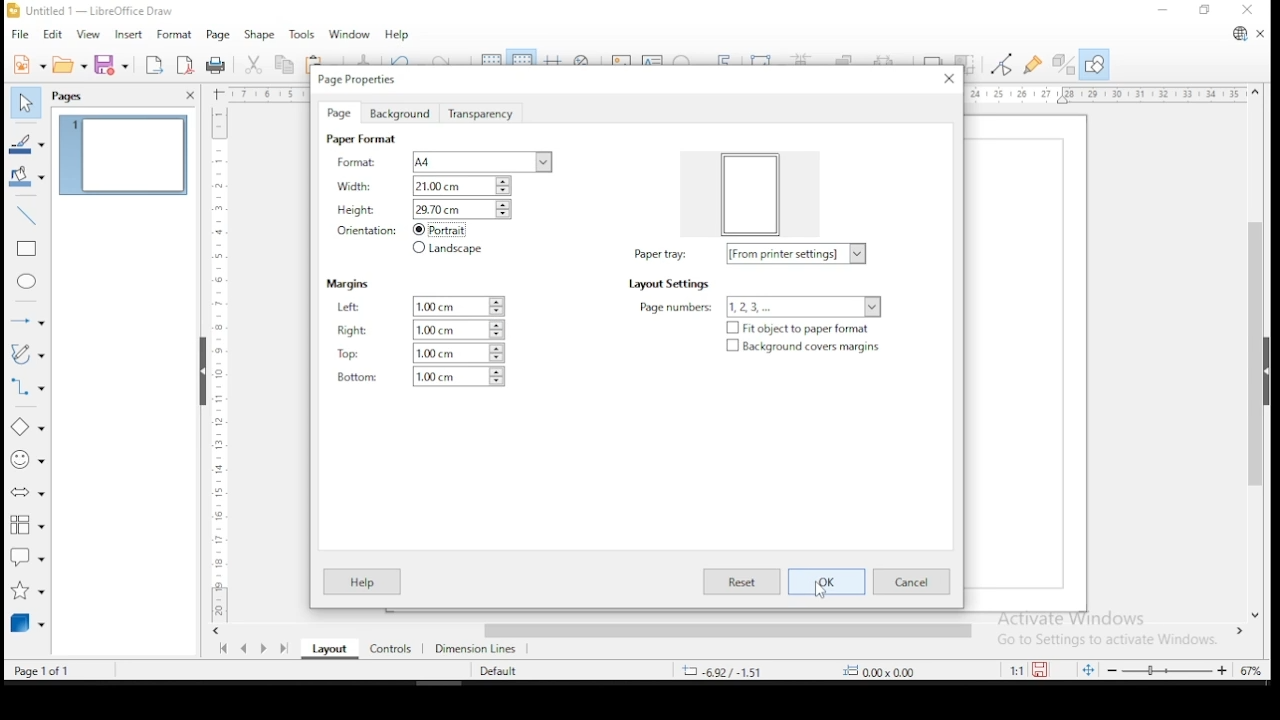 The width and height of the screenshot is (1280, 720). Describe the element at coordinates (1033, 63) in the screenshot. I see `show glue point functions` at that location.